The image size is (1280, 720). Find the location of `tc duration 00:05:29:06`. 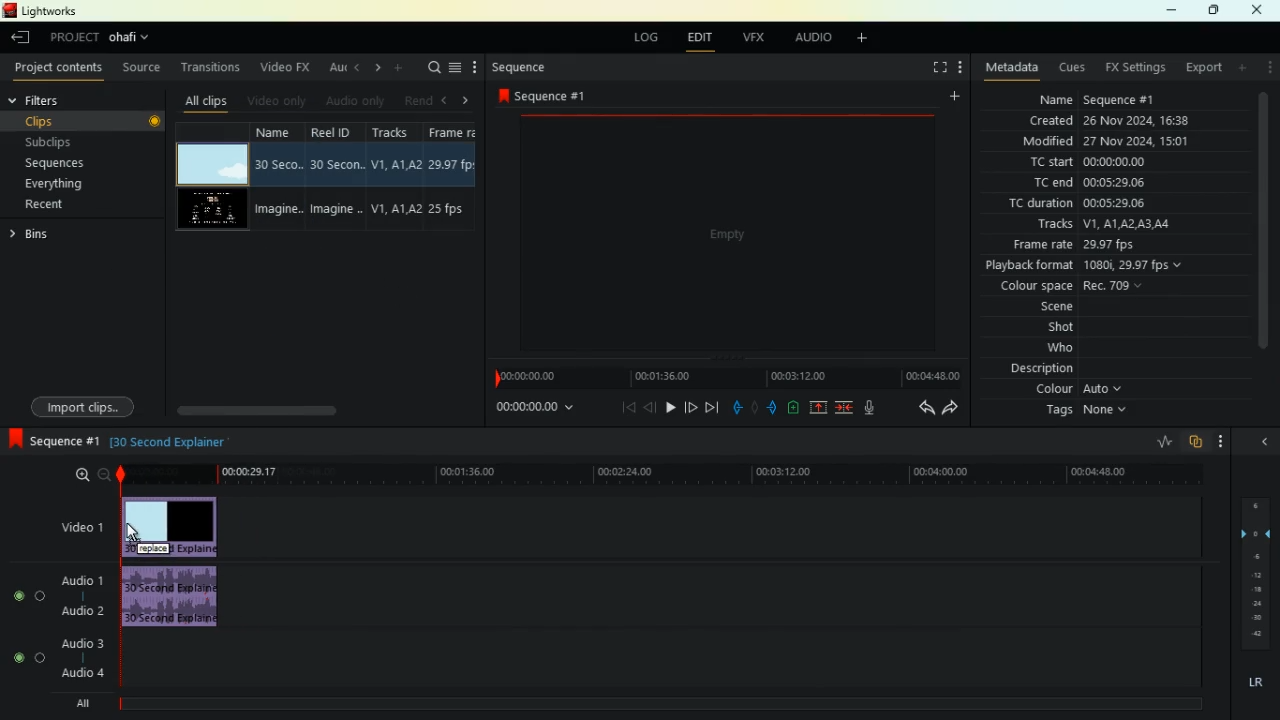

tc duration 00:05:29:06 is located at coordinates (1116, 202).